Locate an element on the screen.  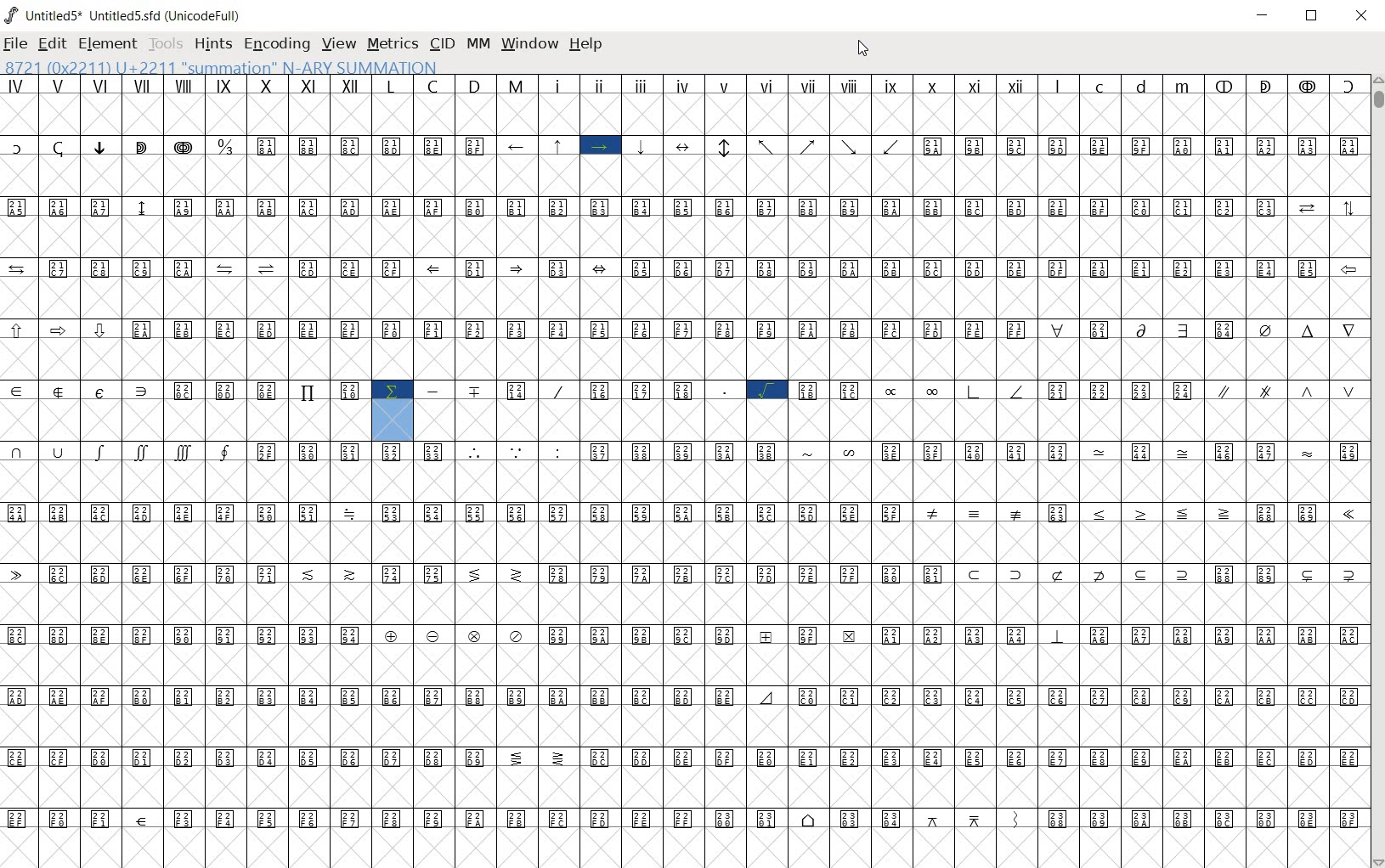
SCROLLBAR is located at coordinates (1382, 472).